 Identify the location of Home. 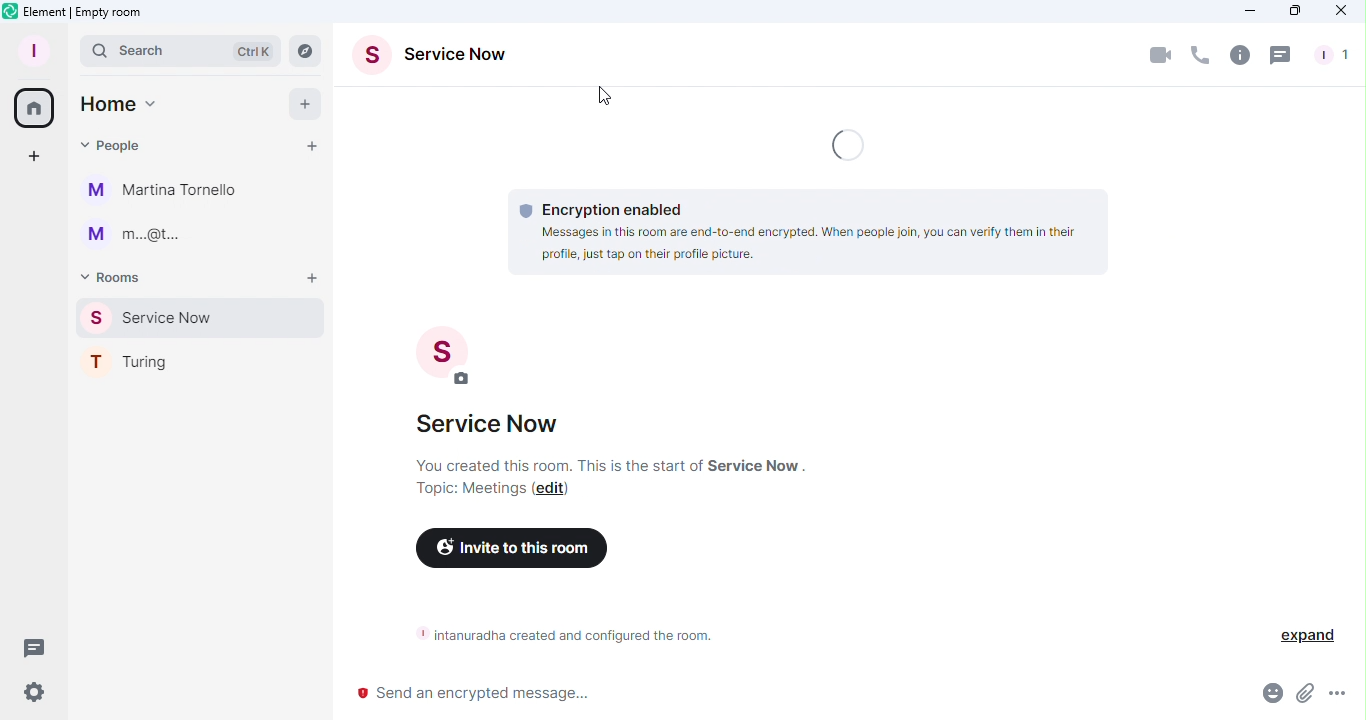
(118, 104).